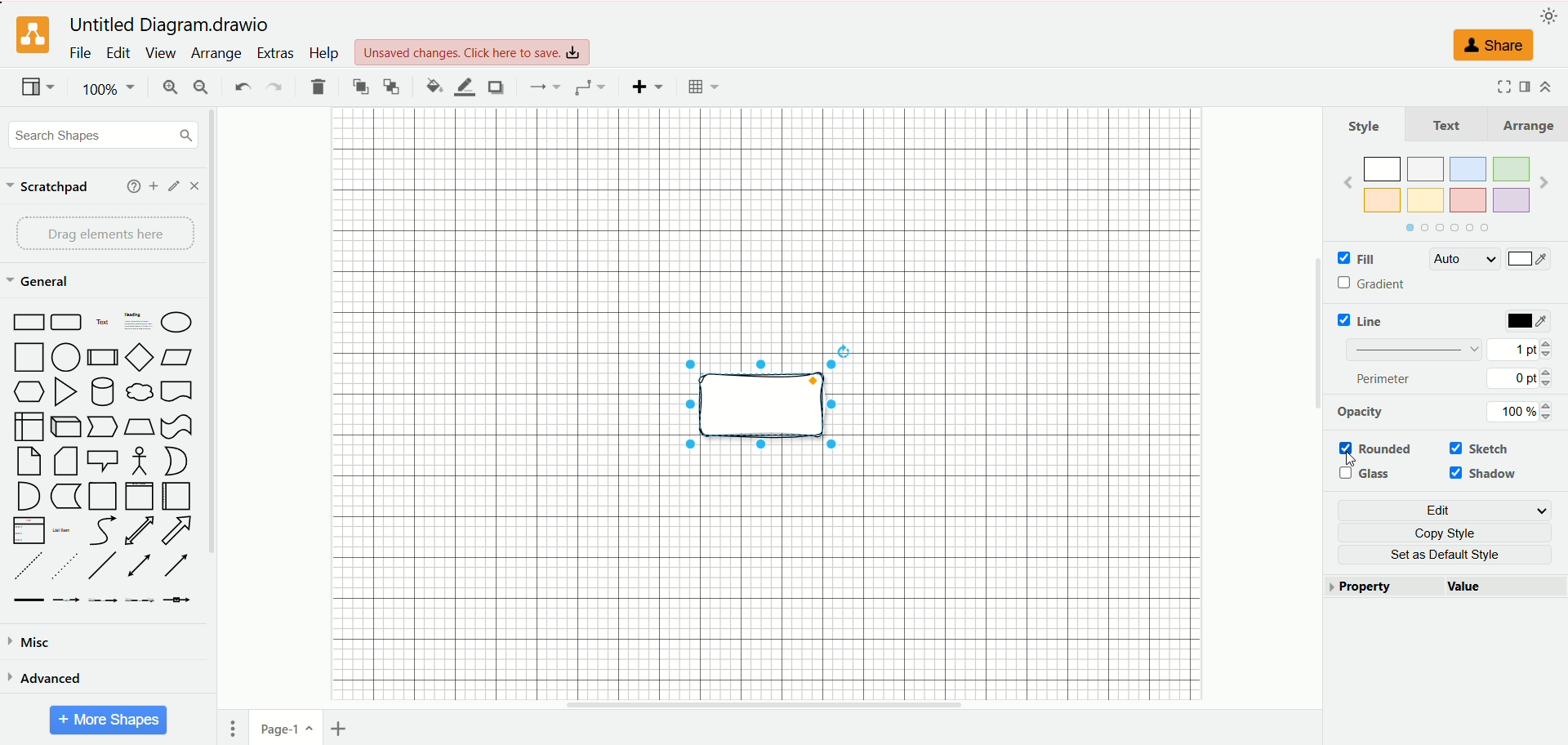 This screenshot has width=1568, height=745. I want to click on extras, so click(277, 53).